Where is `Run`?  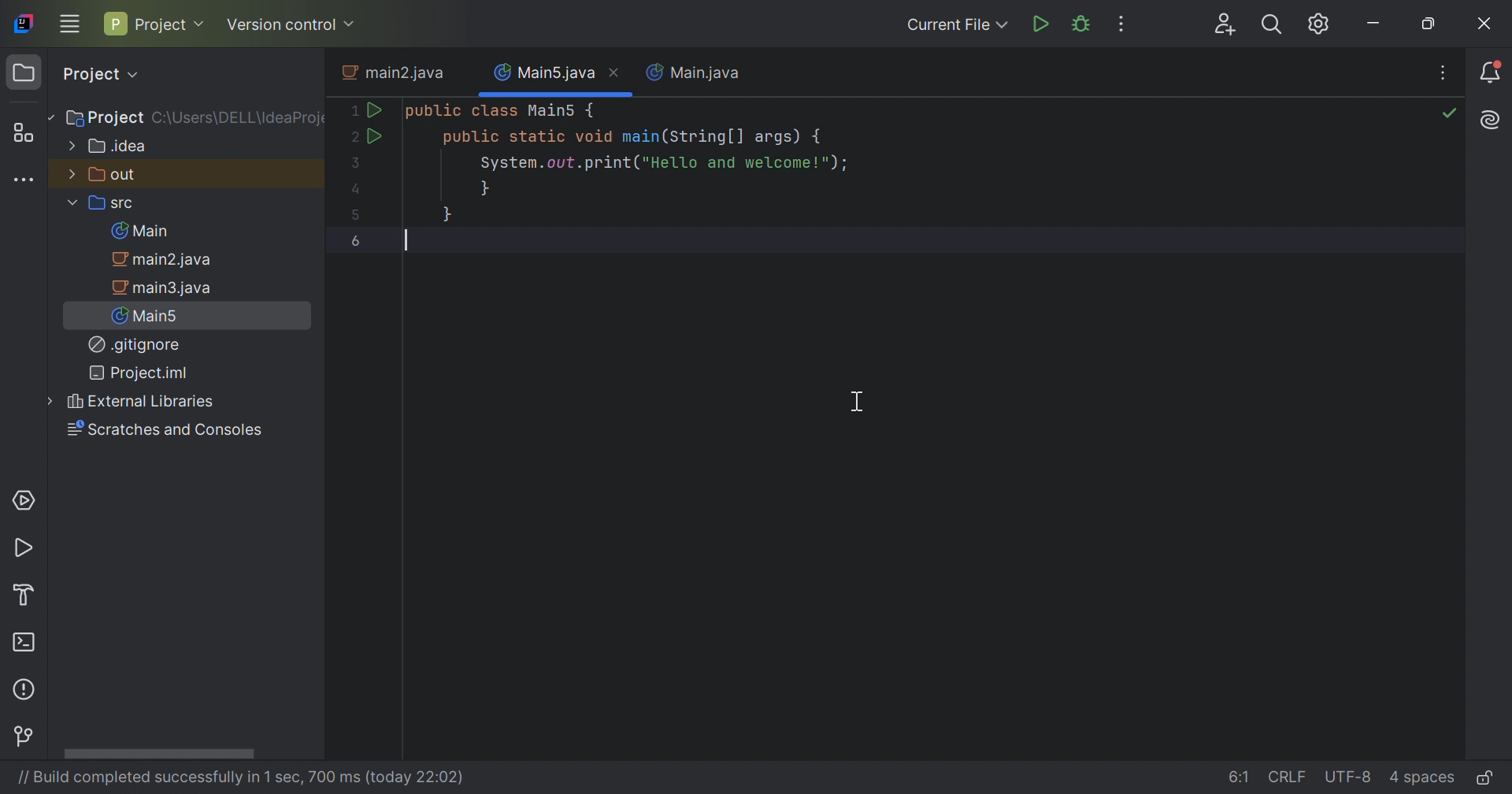 Run is located at coordinates (374, 109).